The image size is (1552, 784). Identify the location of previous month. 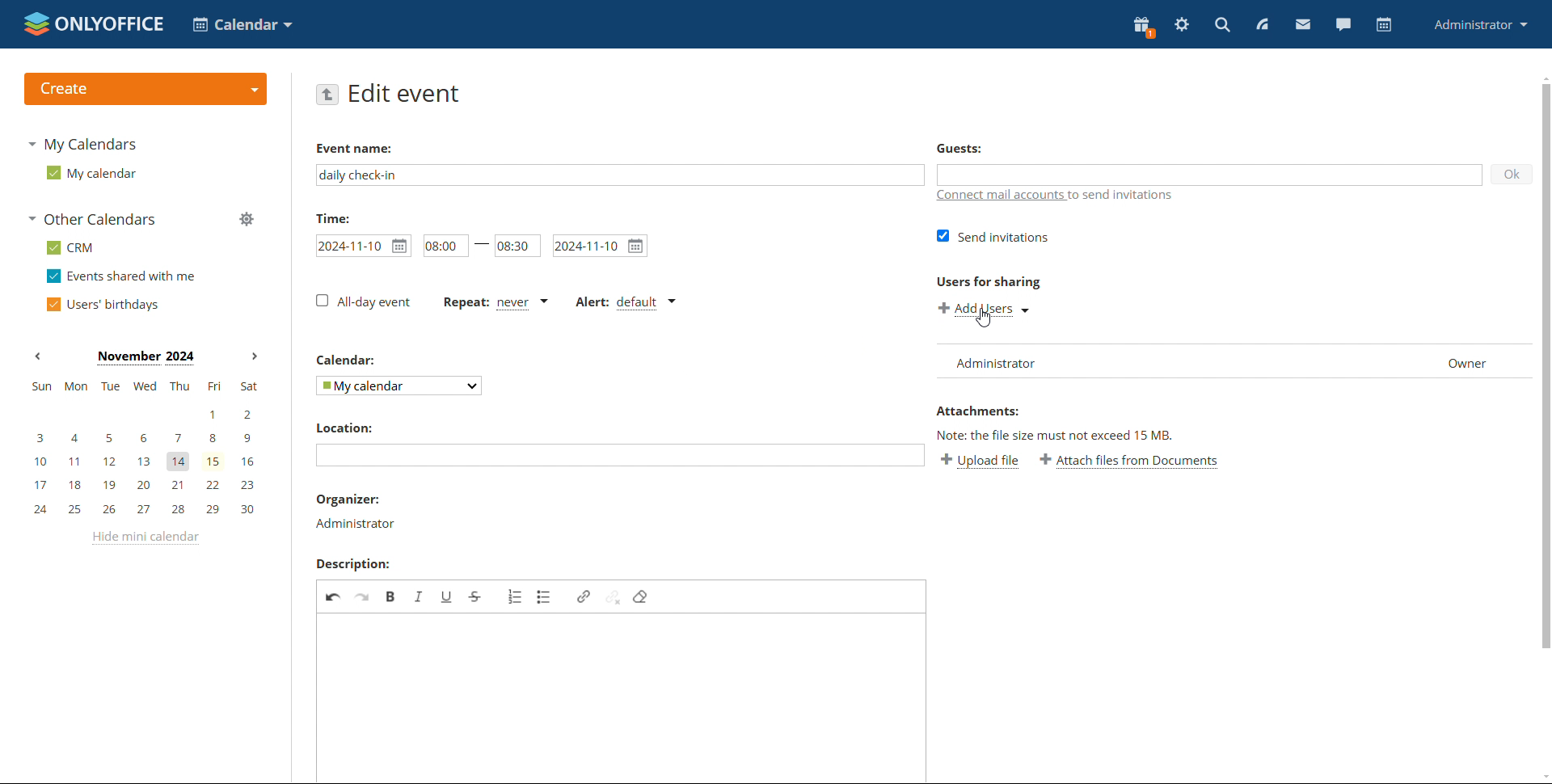
(37, 356).